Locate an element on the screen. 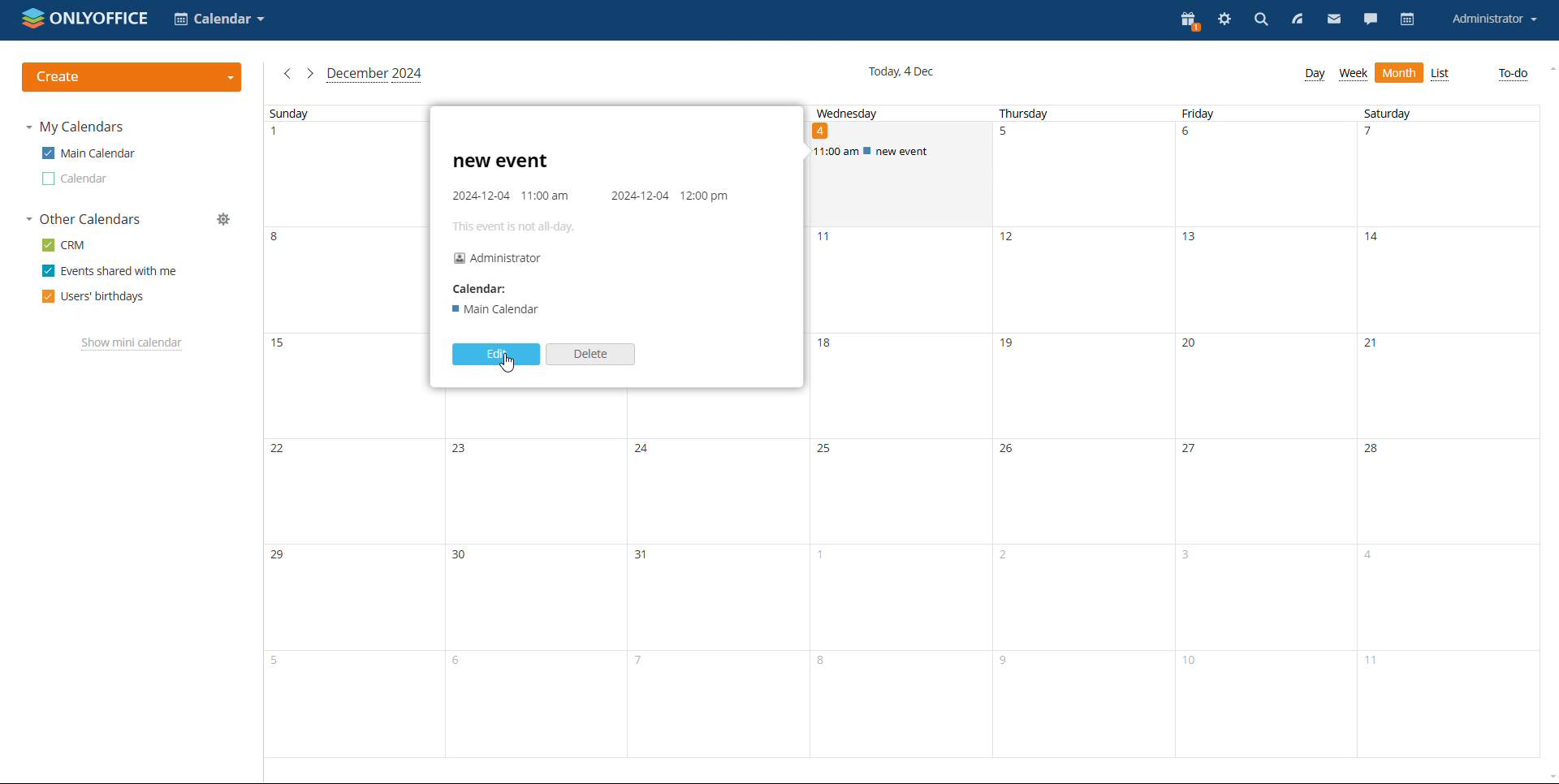 This screenshot has height=784, width=1559. main calendar is located at coordinates (87, 153).